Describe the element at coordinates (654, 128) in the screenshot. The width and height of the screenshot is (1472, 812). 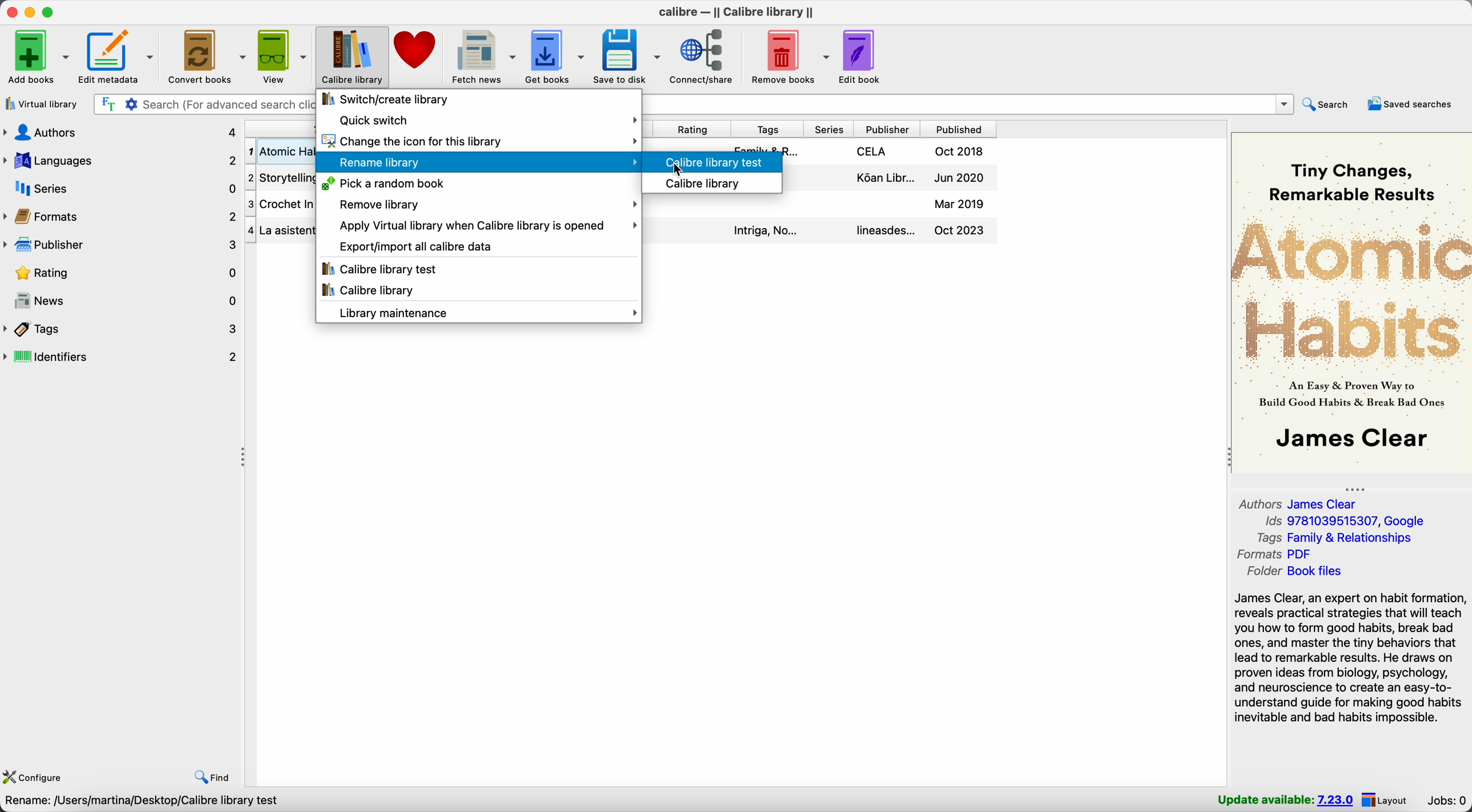
I see `size` at that location.